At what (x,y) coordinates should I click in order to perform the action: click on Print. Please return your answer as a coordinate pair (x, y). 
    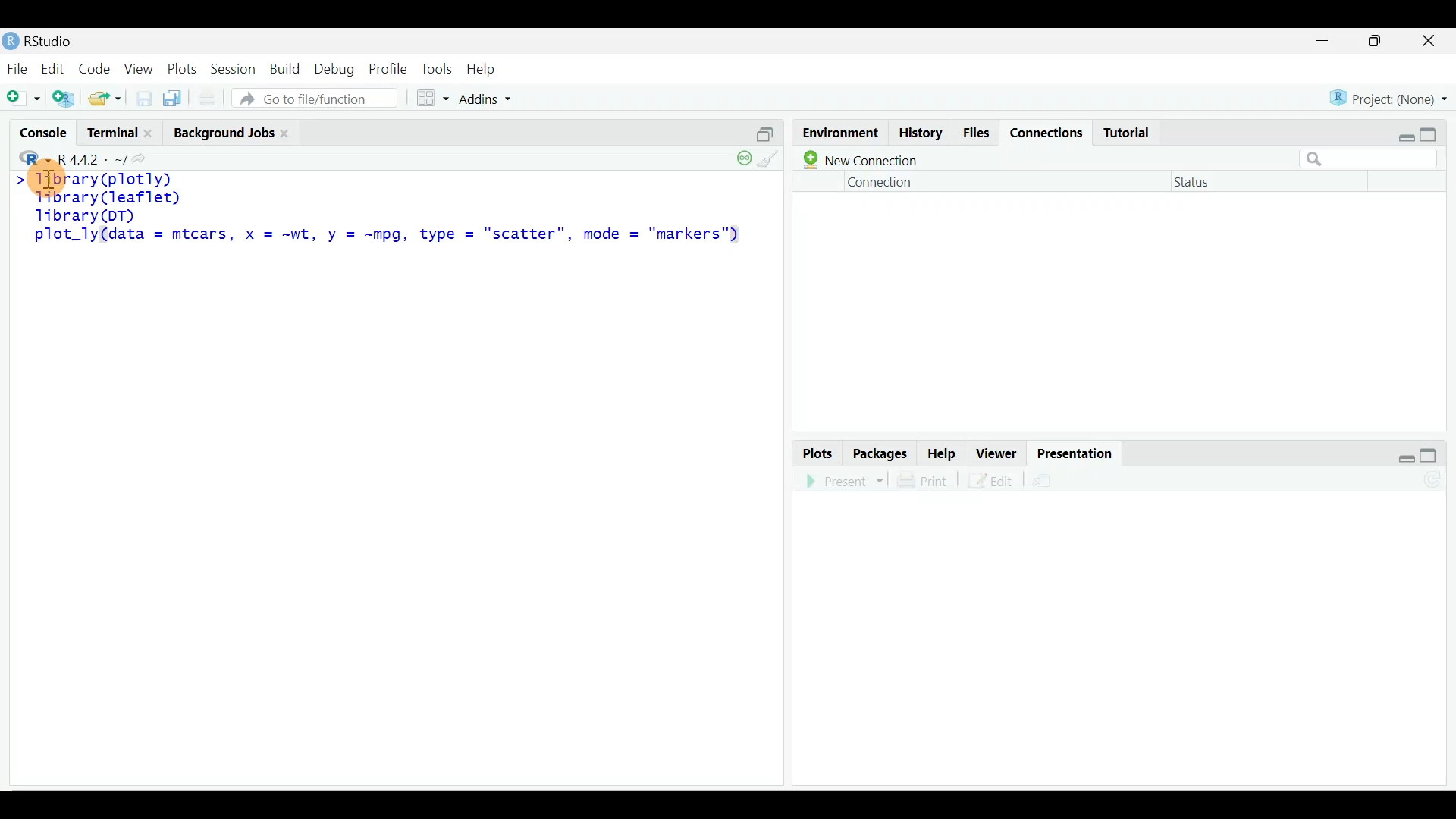
    Looking at the image, I should click on (924, 477).